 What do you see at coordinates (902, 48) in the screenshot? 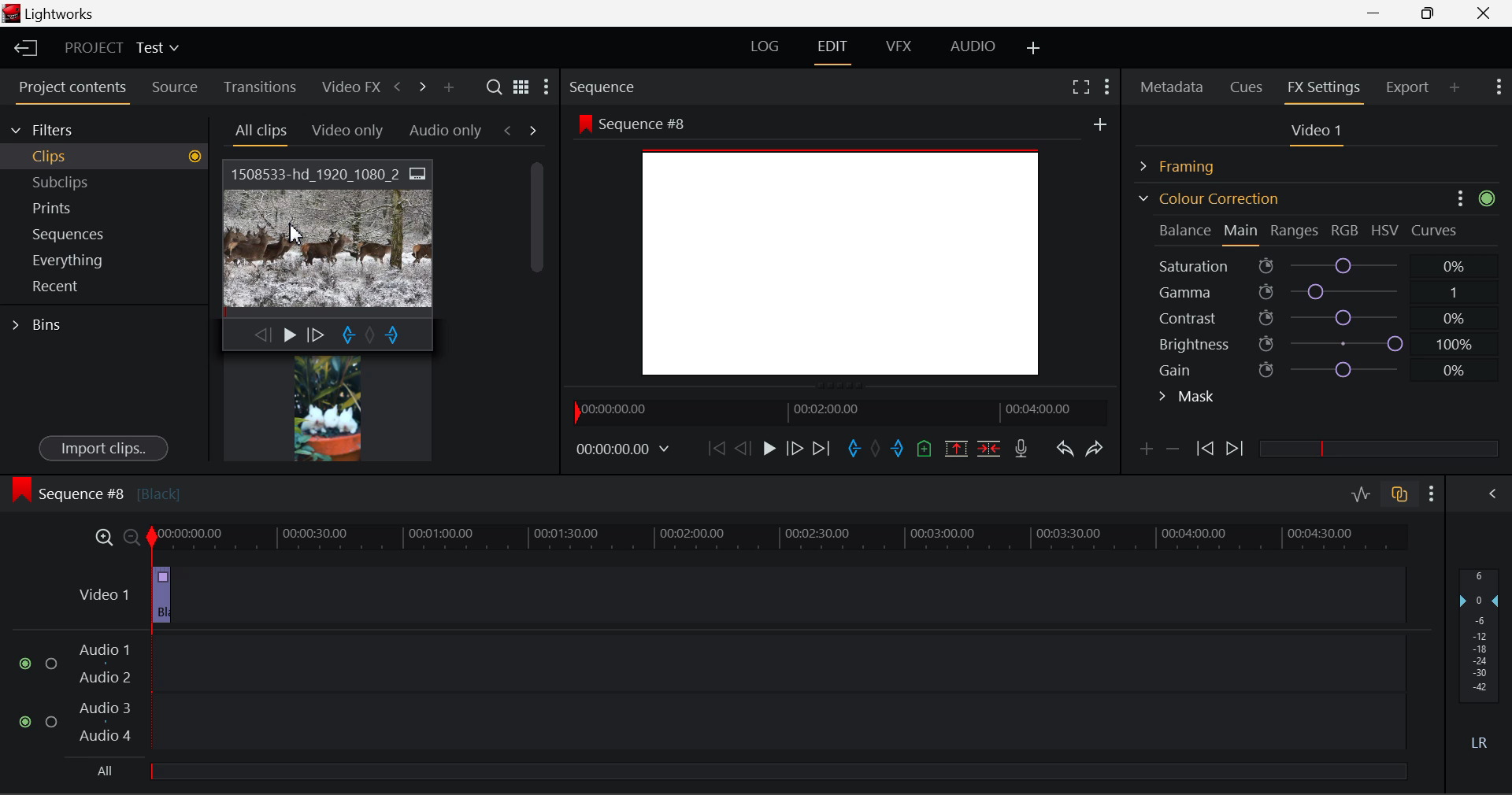
I see `VFX Layout` at bounding box center [902, 48].